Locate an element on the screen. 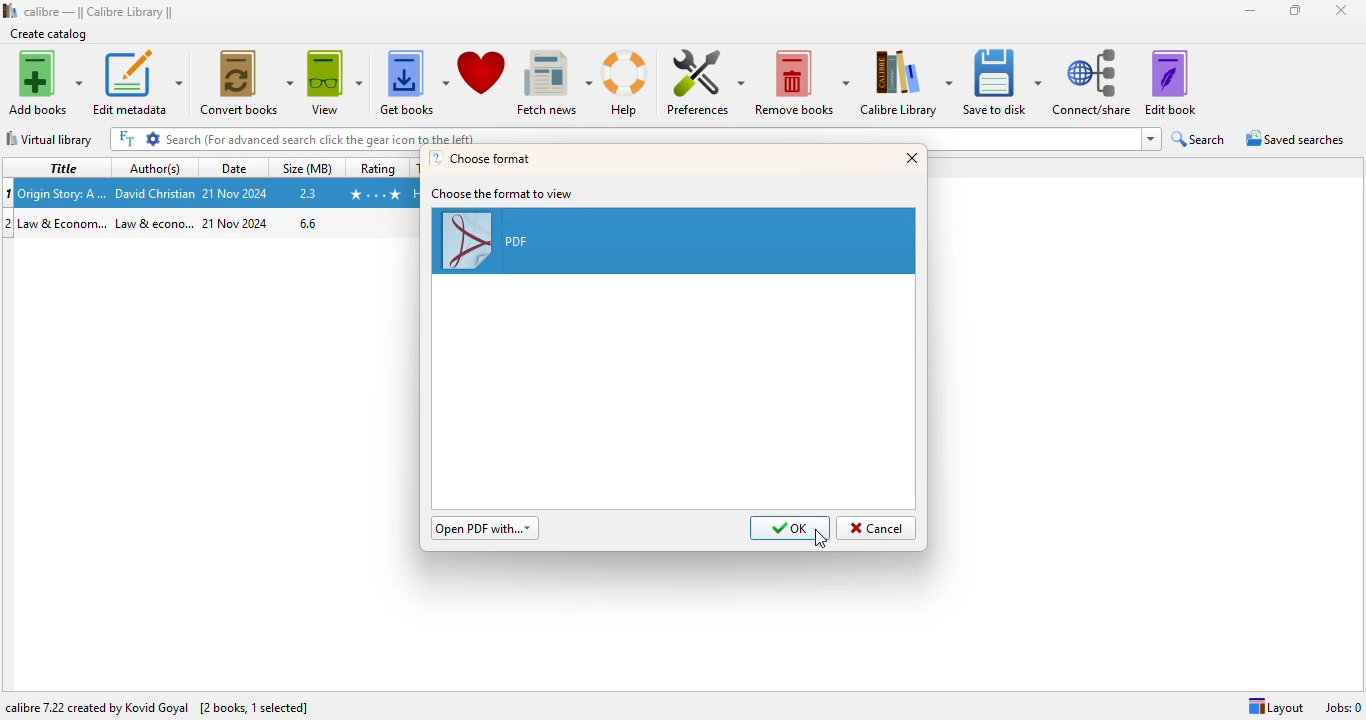 The image size is (1366, 720). virtual library is located at coordinates (49, 139).